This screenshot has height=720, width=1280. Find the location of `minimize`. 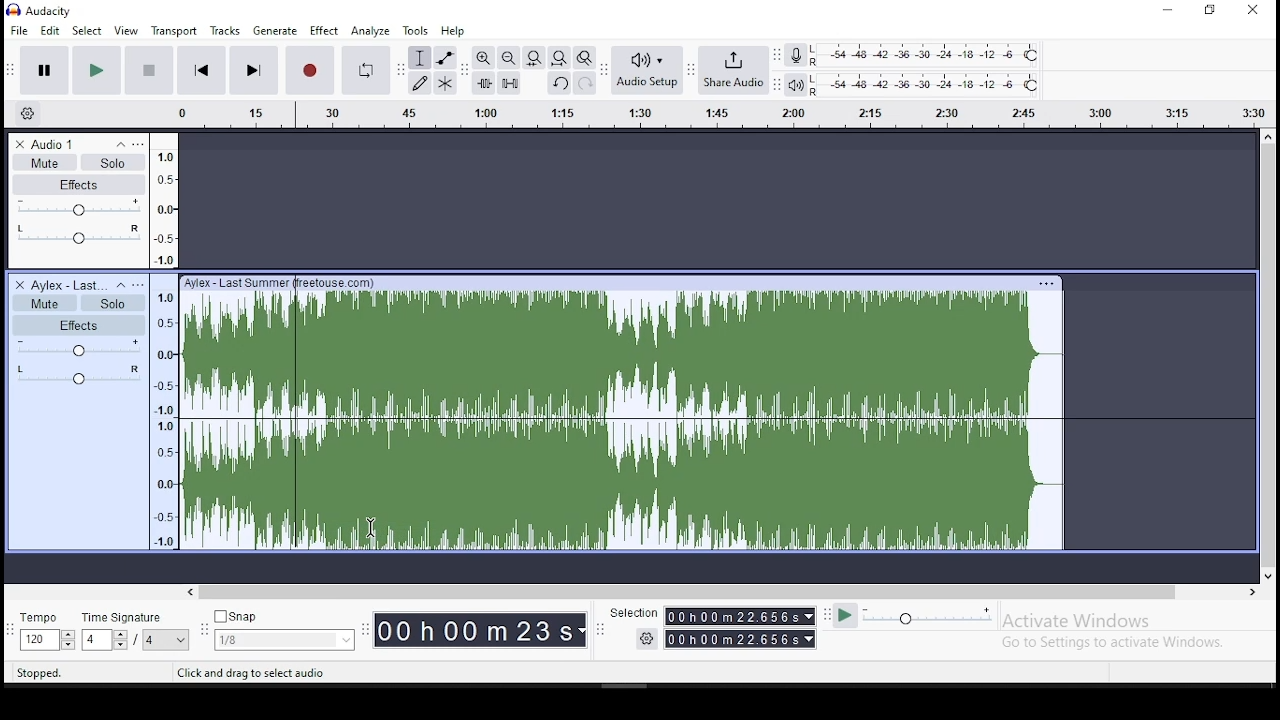

minimize is located at coordinates (1166, 11).